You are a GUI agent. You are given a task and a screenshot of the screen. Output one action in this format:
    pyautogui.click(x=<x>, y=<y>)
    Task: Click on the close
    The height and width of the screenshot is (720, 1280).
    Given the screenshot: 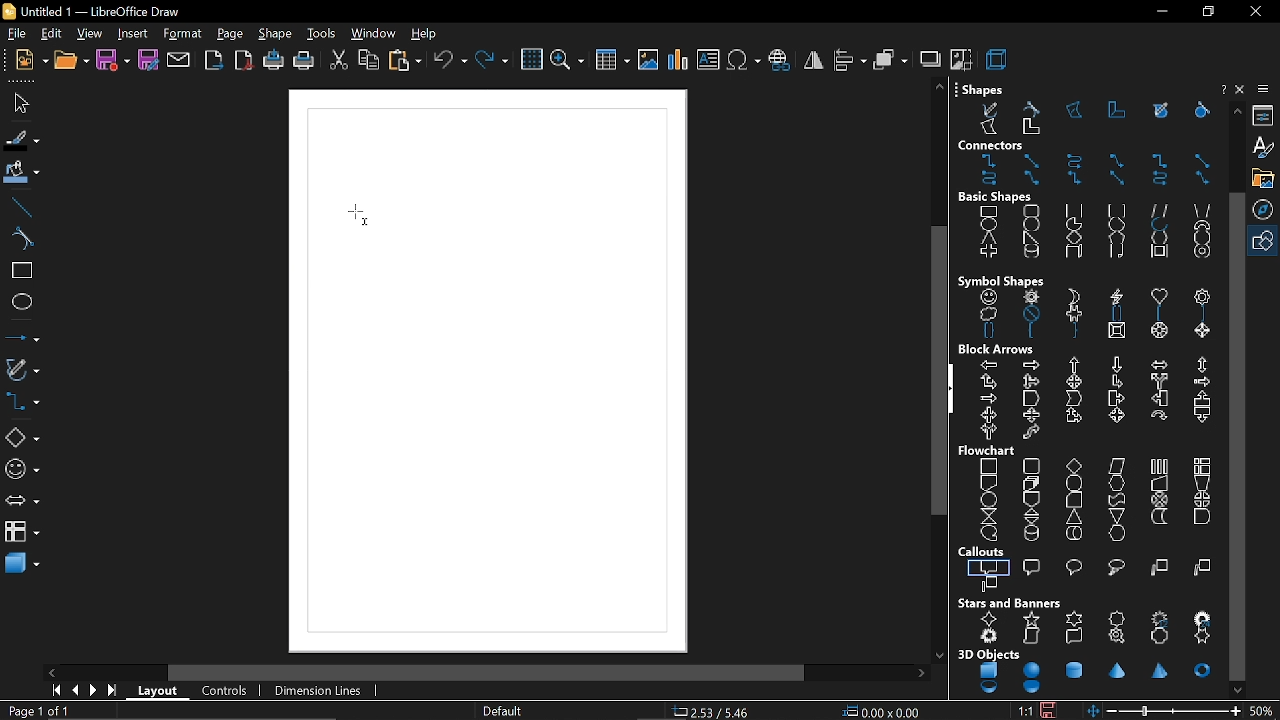 What is the action you would take?
    pyautogui.click(x=1241, y=90)
    